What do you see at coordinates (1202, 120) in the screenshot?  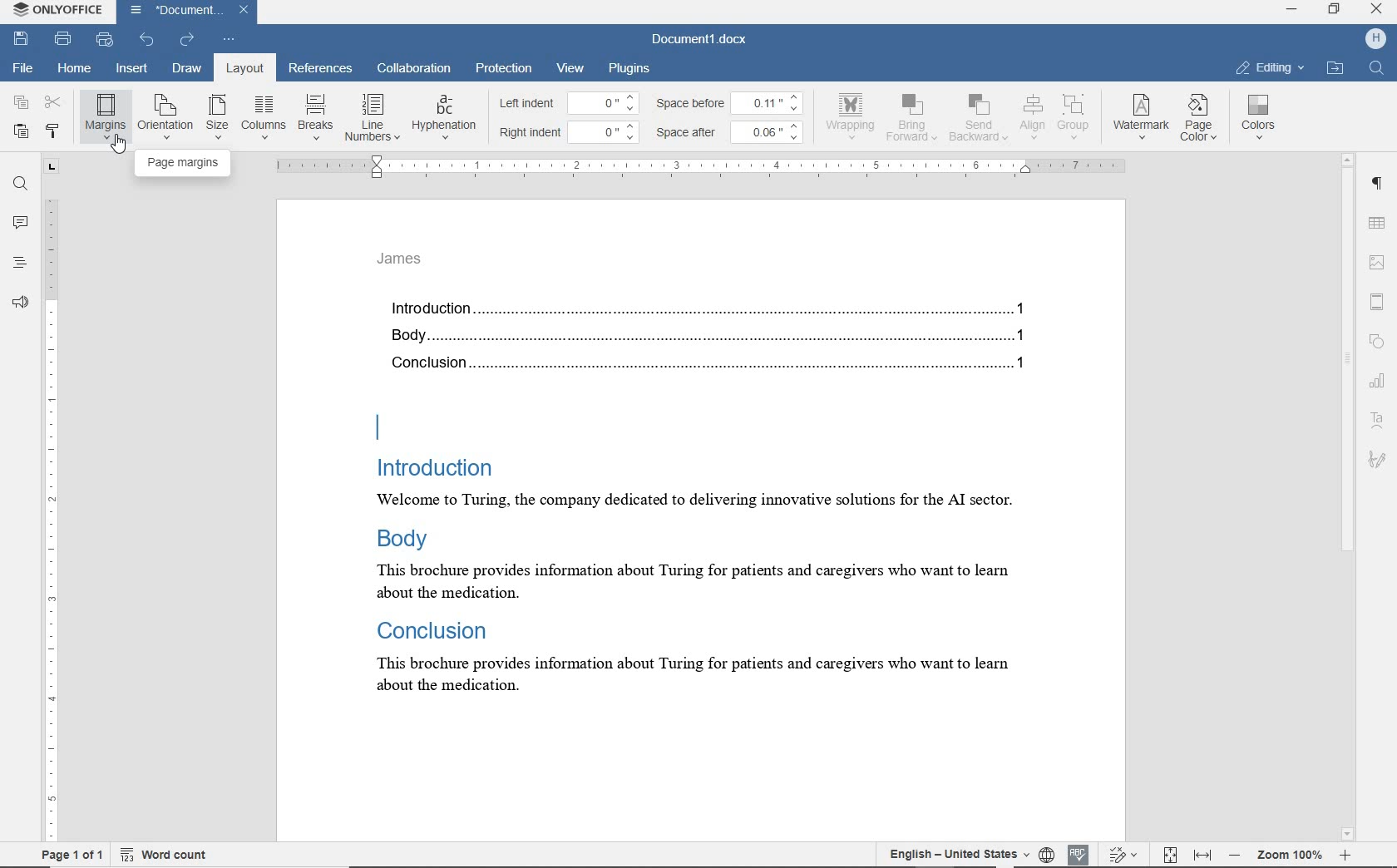 I see `page color` at bounding box center [1202, 120].